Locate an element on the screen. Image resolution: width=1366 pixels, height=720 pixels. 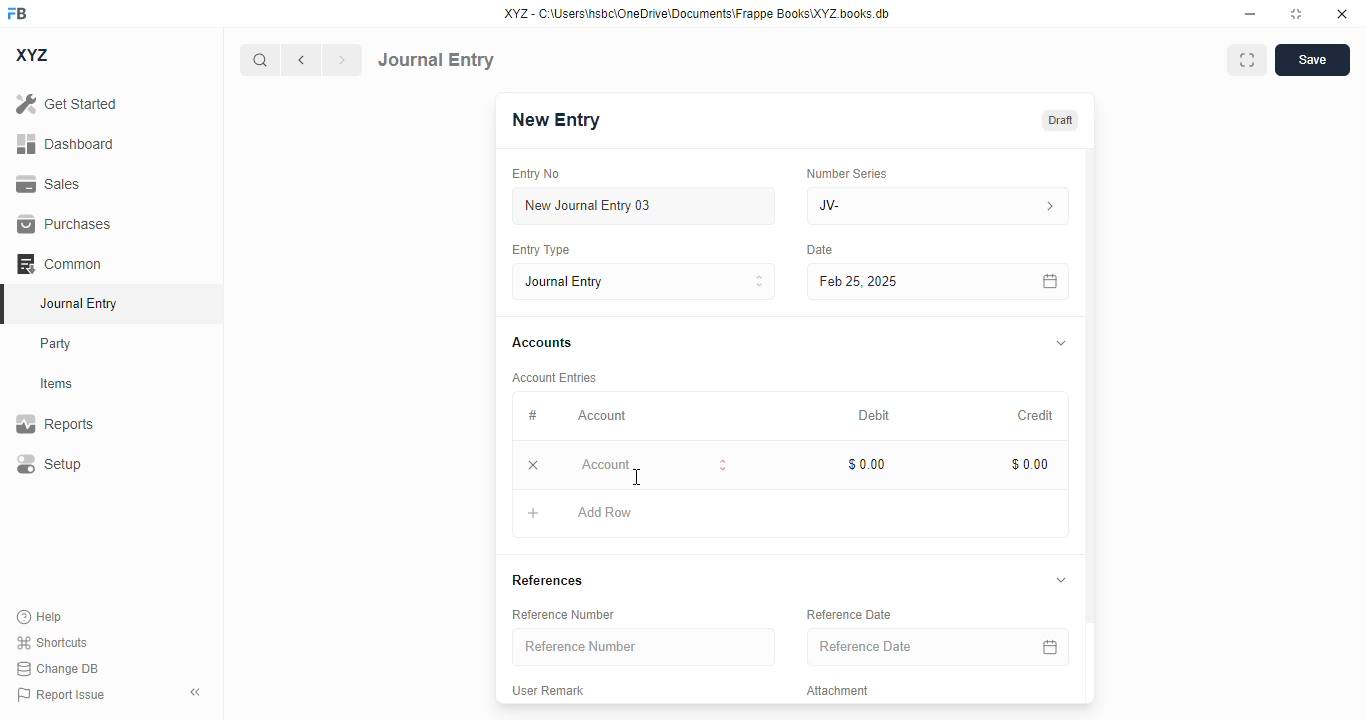
items is located at coordinates (57, 384).